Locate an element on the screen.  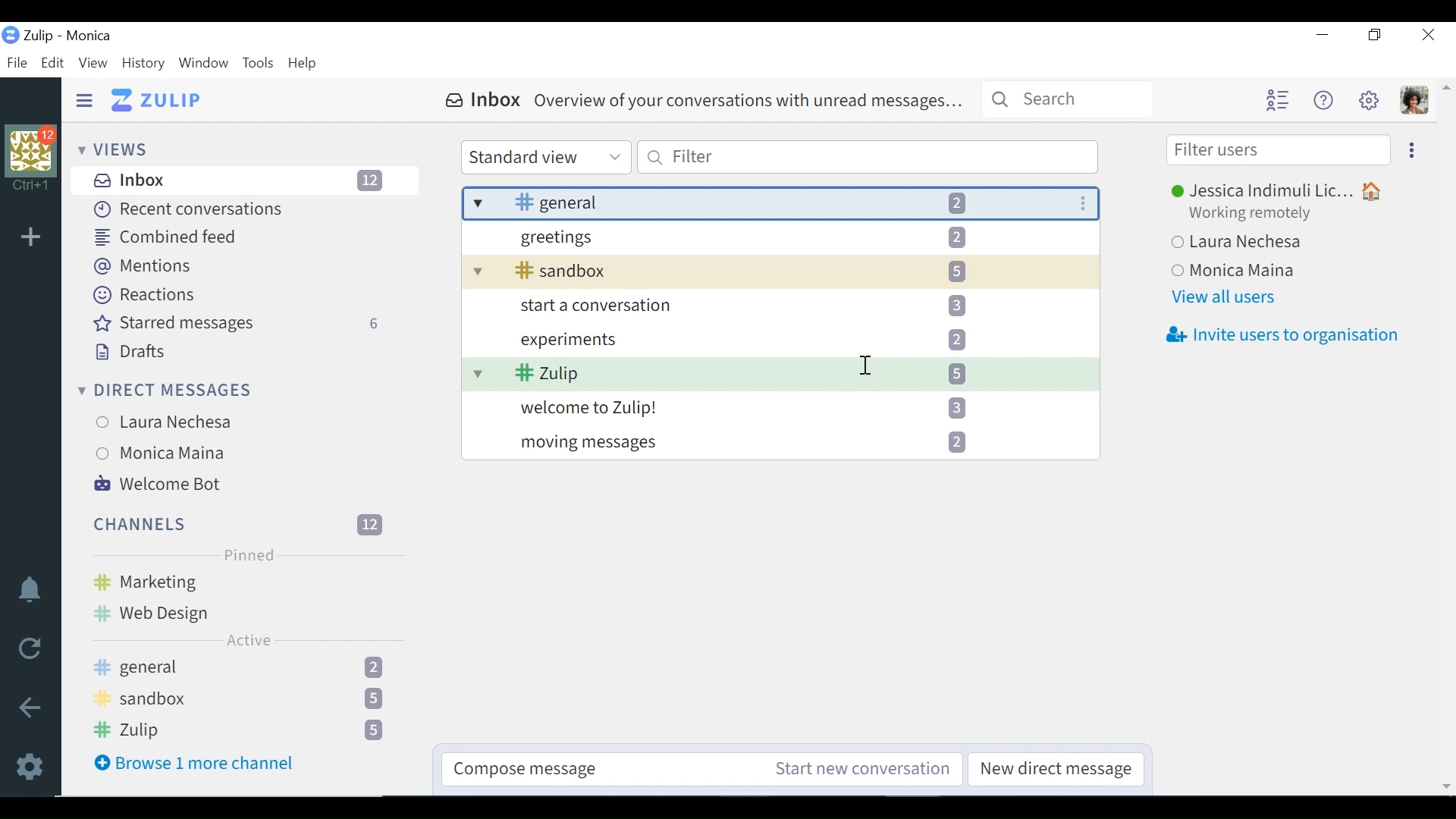
Scroll down is located at coordinates (1445, 783).